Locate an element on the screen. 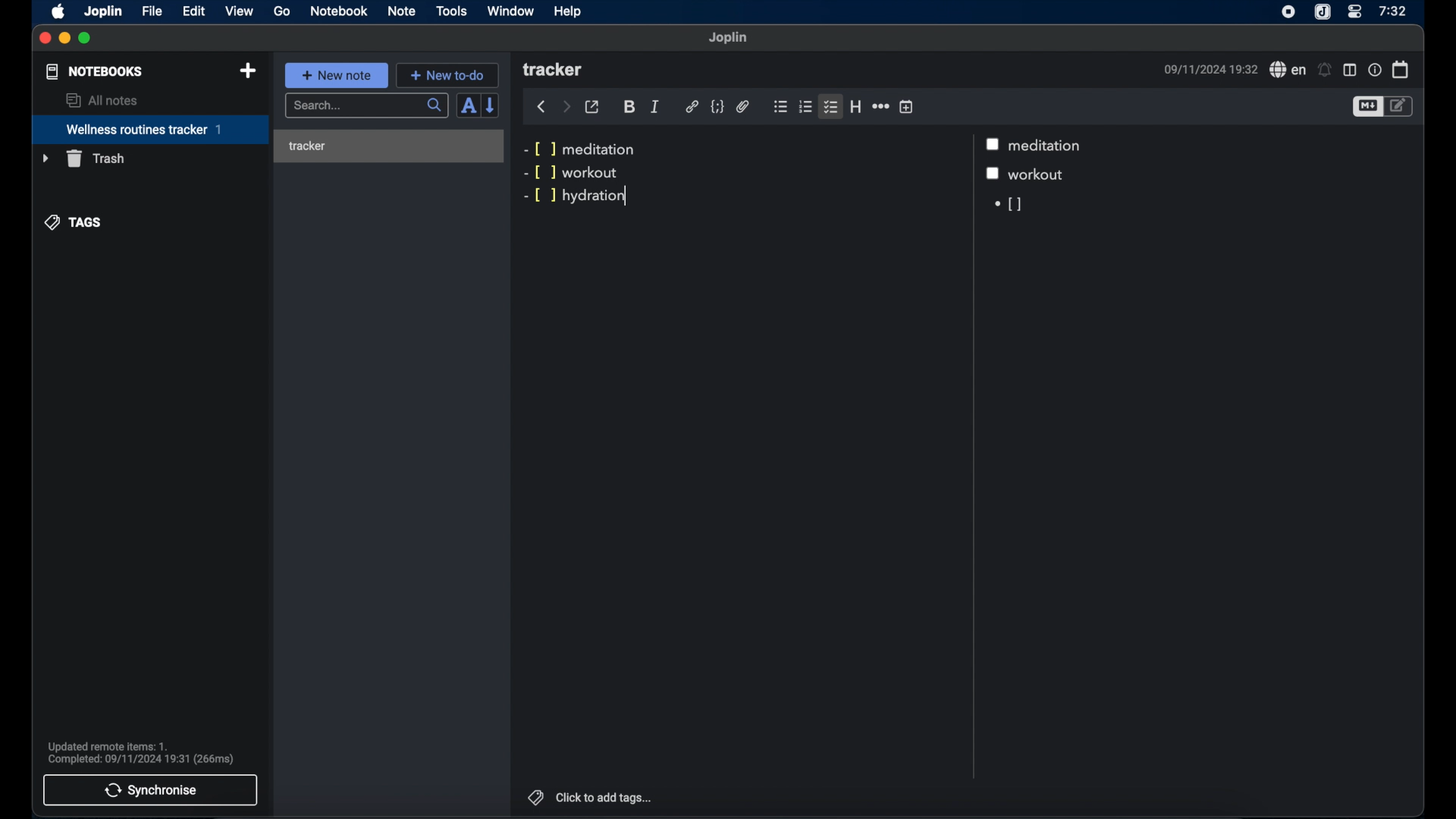 This screenshot has width=1456, height=819. wellness routines tracker 1 is located at coordinates (149, 130).